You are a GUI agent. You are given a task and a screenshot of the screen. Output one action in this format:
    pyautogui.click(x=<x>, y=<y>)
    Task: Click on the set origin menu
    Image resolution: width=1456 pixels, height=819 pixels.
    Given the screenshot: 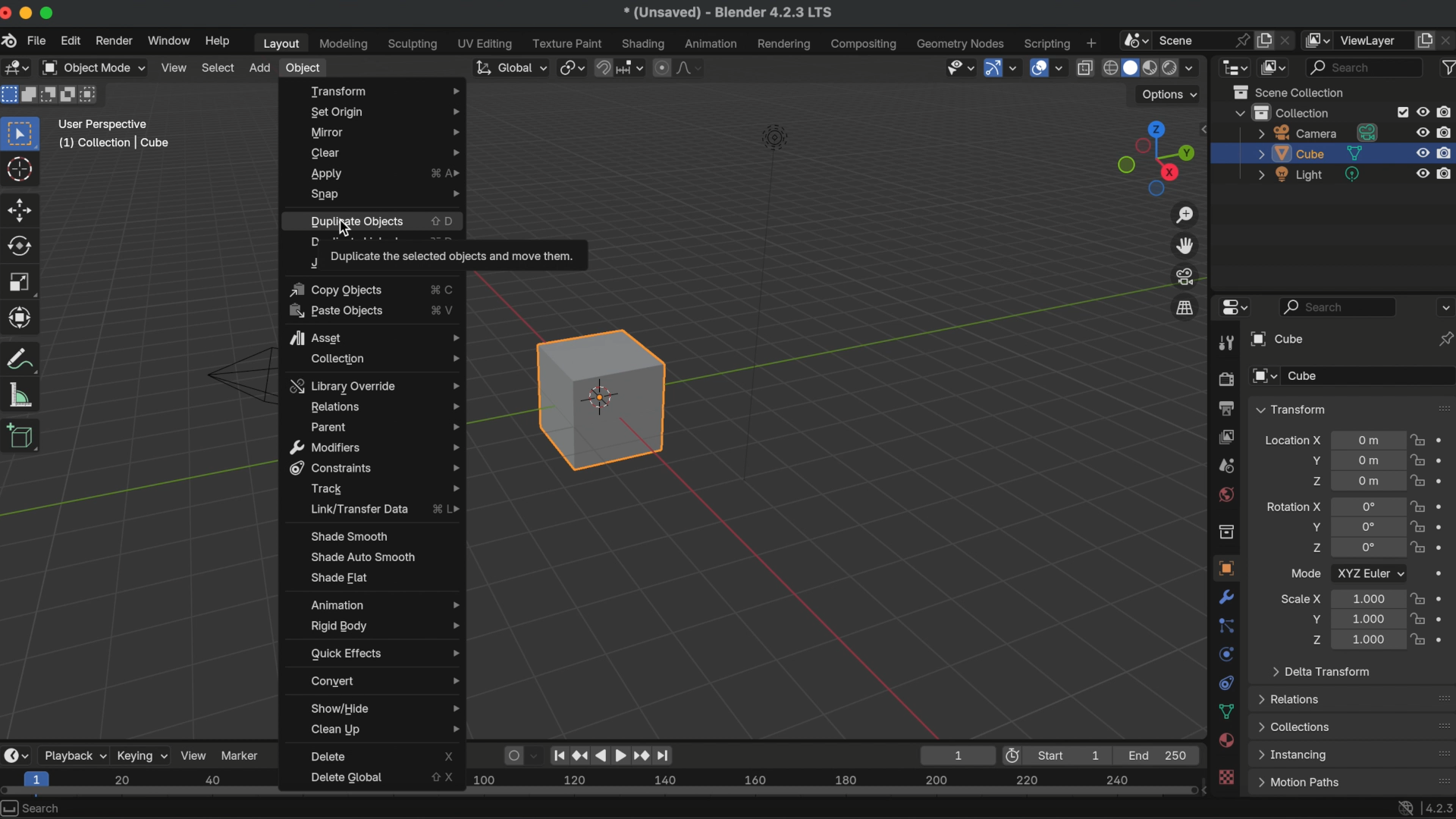 What is the action you would take?
    pyautogui.click(x=381, y=112)
    